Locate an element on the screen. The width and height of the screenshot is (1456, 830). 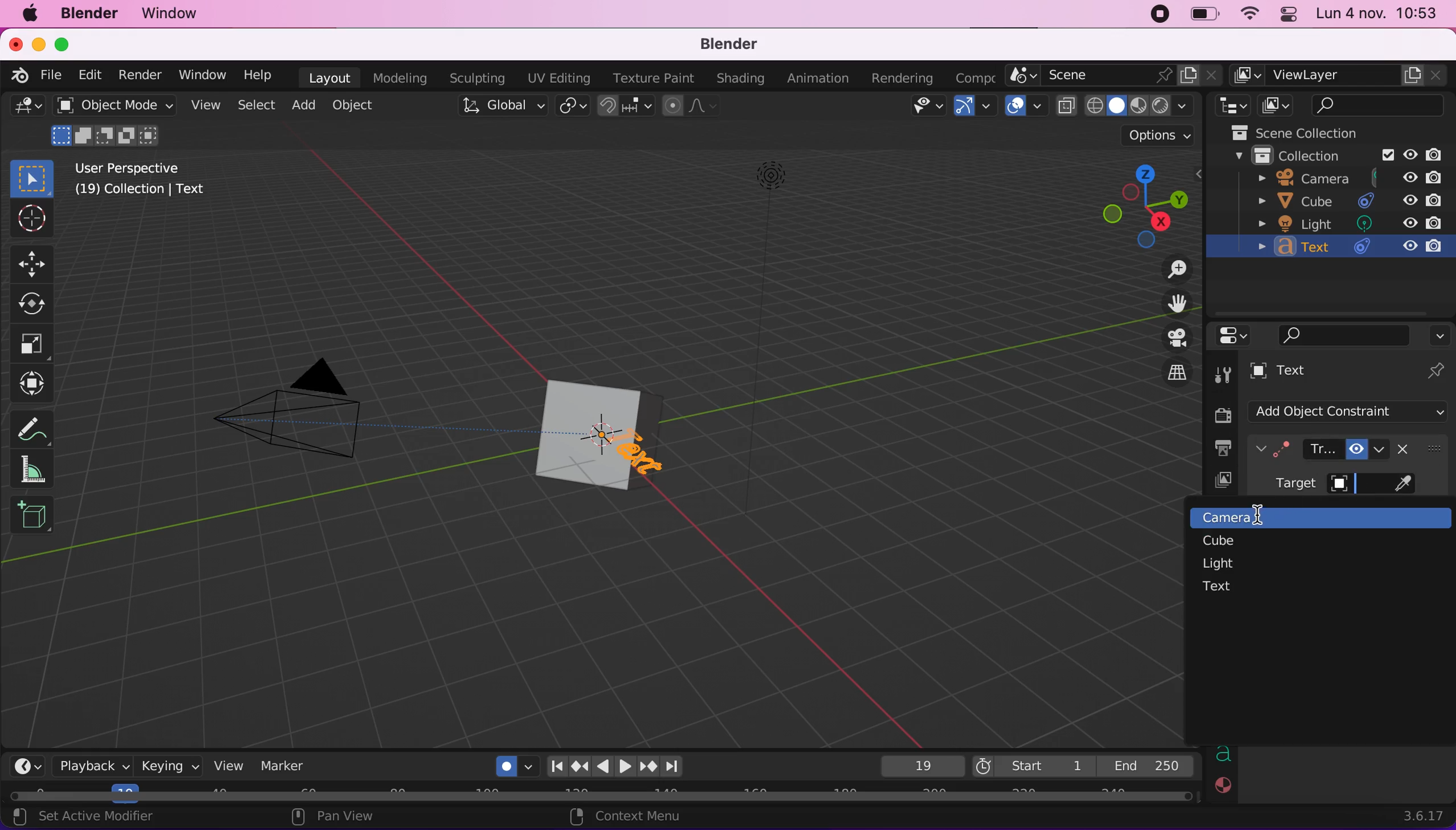
light is located at coordinates (1218, 562).